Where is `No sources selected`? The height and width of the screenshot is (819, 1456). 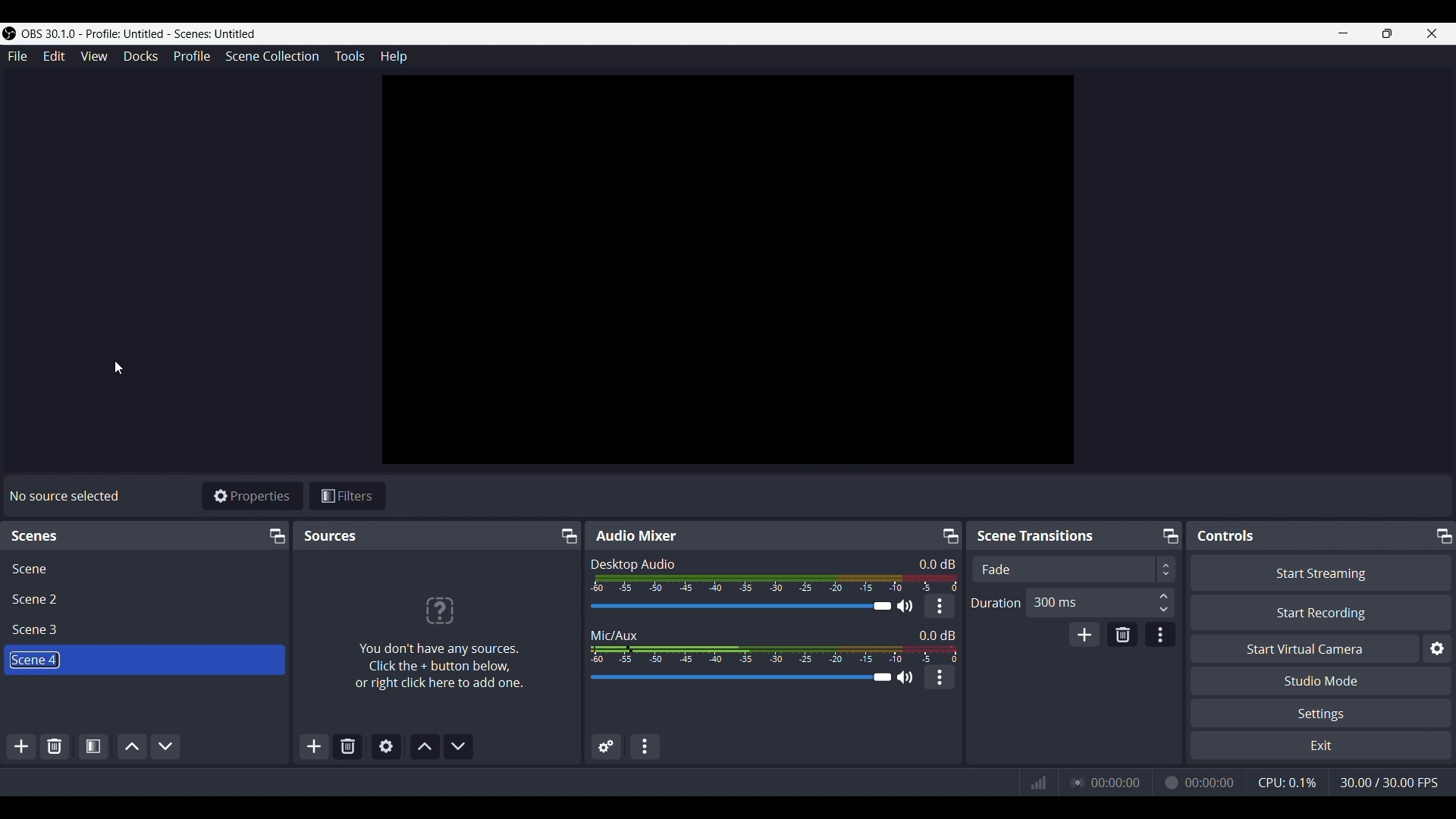 No sources selected is located at coordinates (63, 496).